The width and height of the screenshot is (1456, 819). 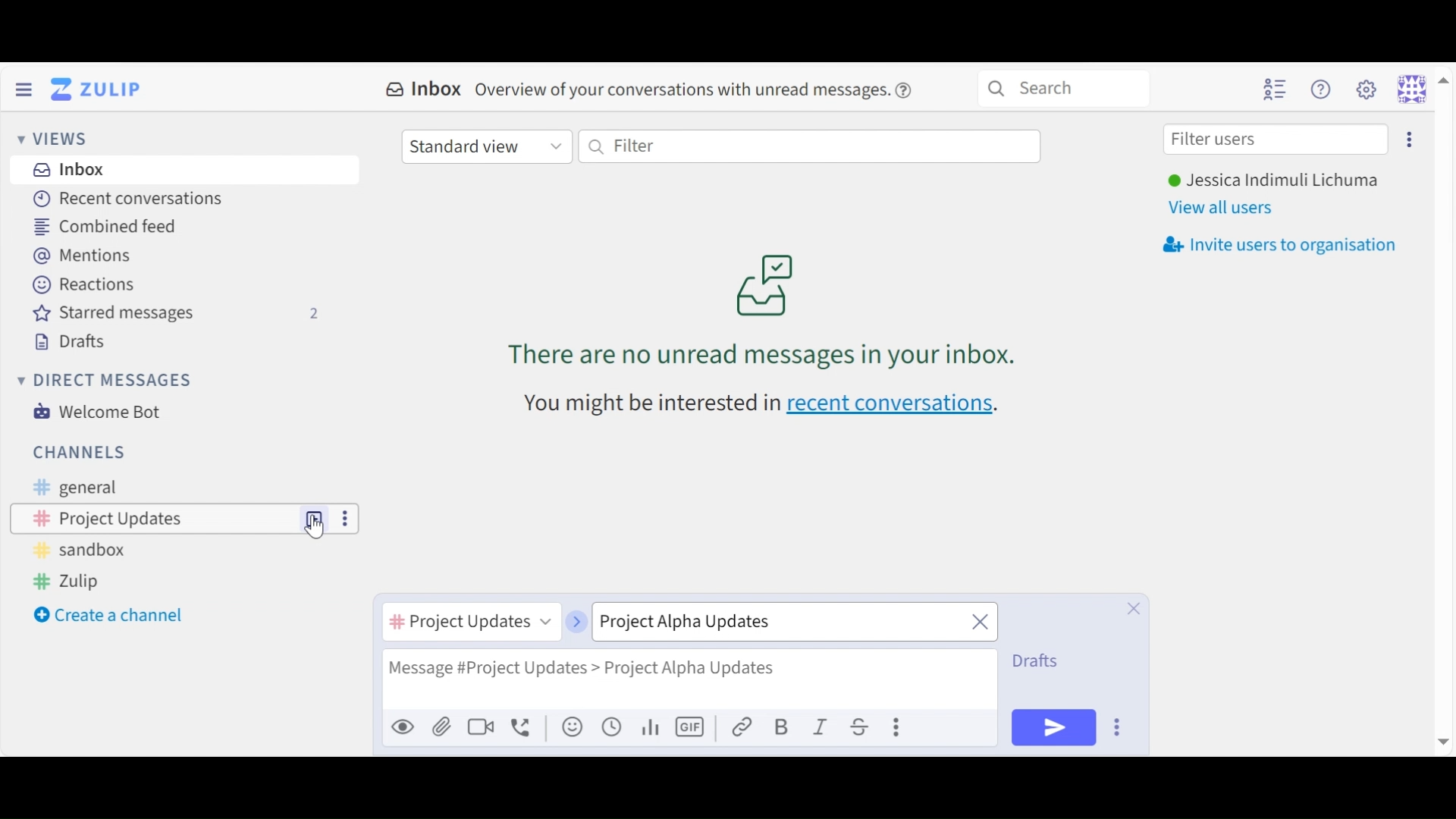 I want to click on Search, so click(x=1063, y=86).